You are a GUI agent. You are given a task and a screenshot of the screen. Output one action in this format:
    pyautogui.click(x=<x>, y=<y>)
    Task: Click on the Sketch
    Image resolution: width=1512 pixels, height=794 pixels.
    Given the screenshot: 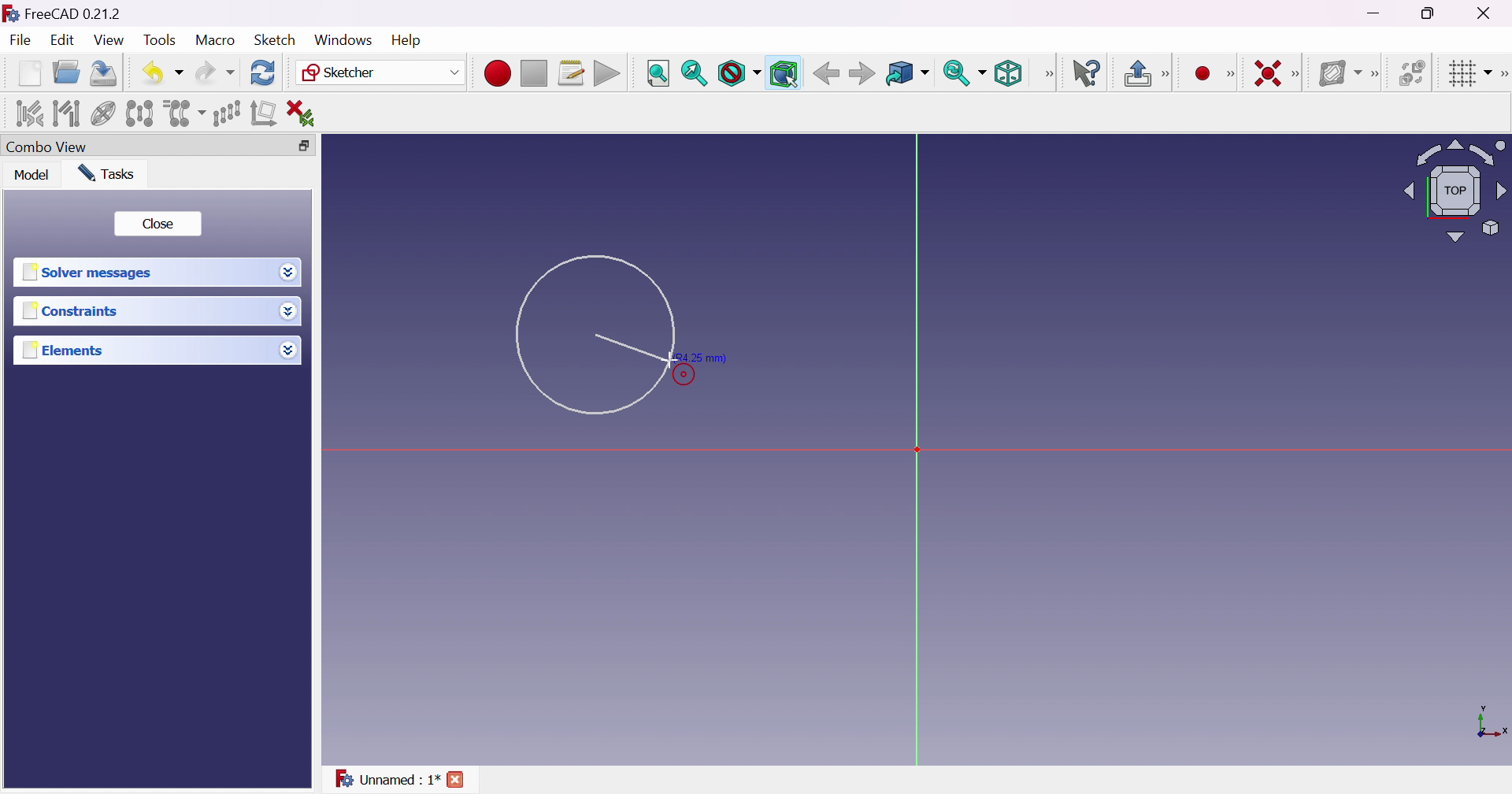 What is the action you would take?
    pyautogui.click(x=276, y=39)
    